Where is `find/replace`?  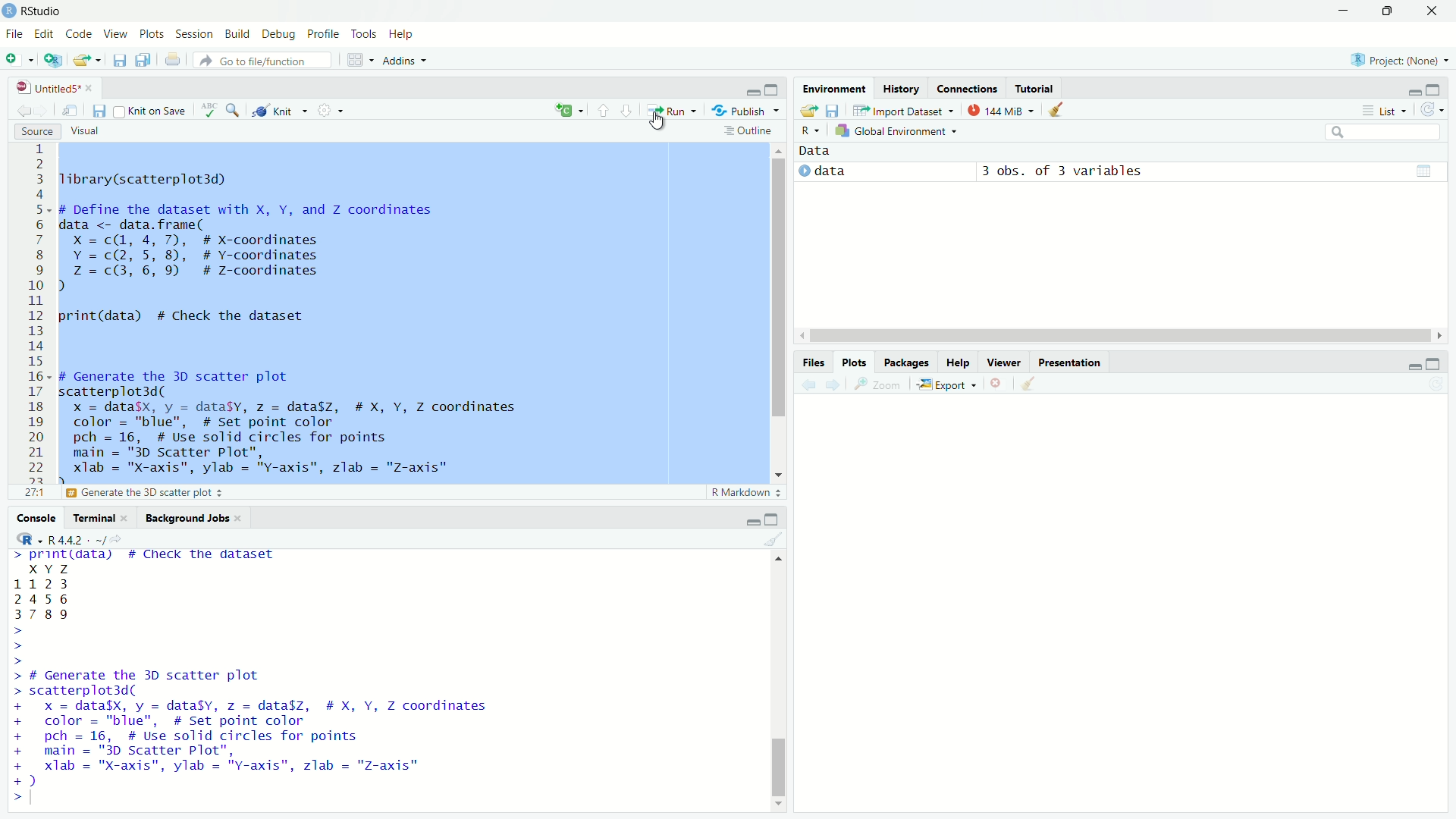 find/replace is located at coordinates (234, 111).